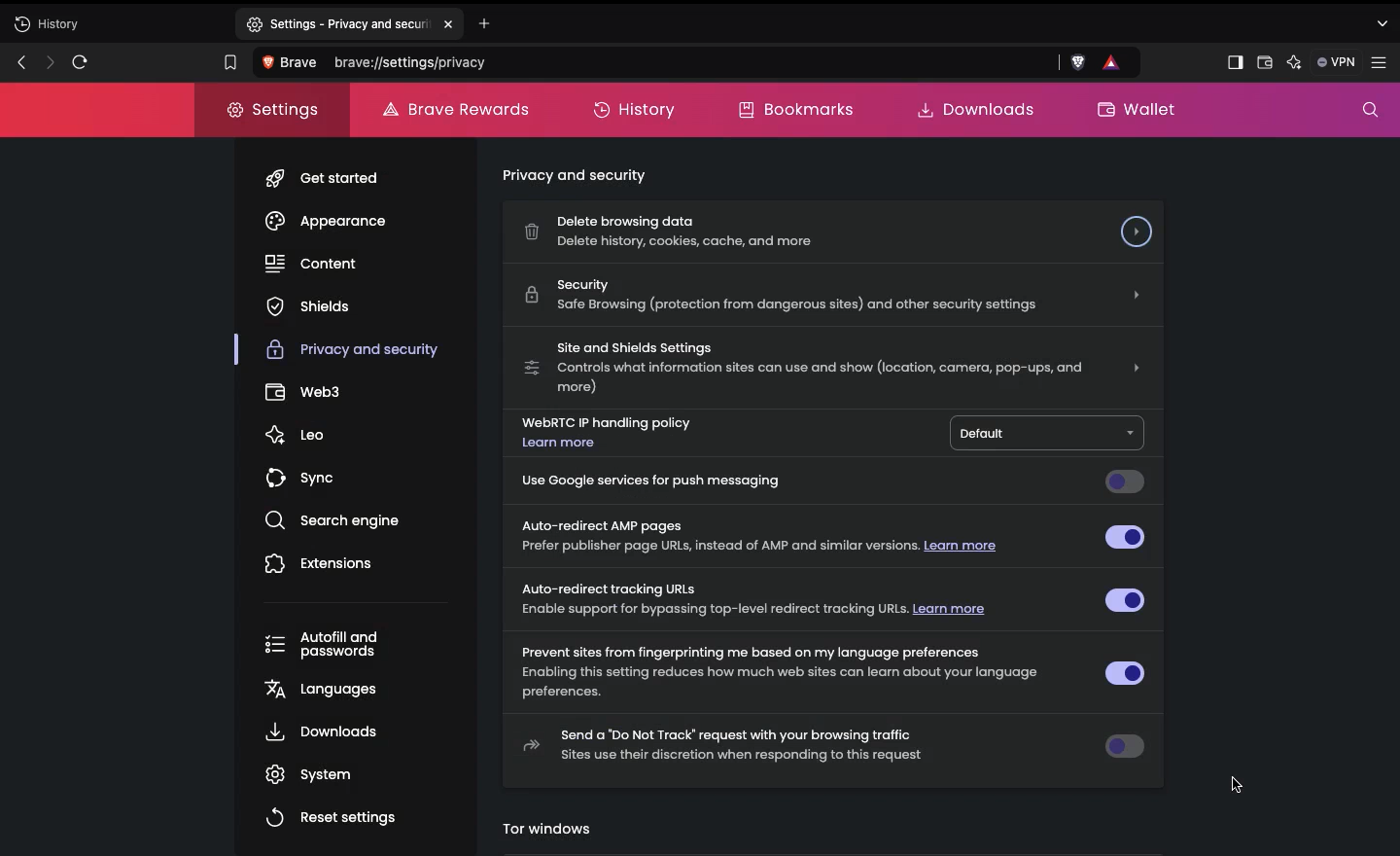 This screenshot has height=856, width=1400. Describe the element at coordinates (970, 109) in the screenshot. I see `Downloads` at that location.